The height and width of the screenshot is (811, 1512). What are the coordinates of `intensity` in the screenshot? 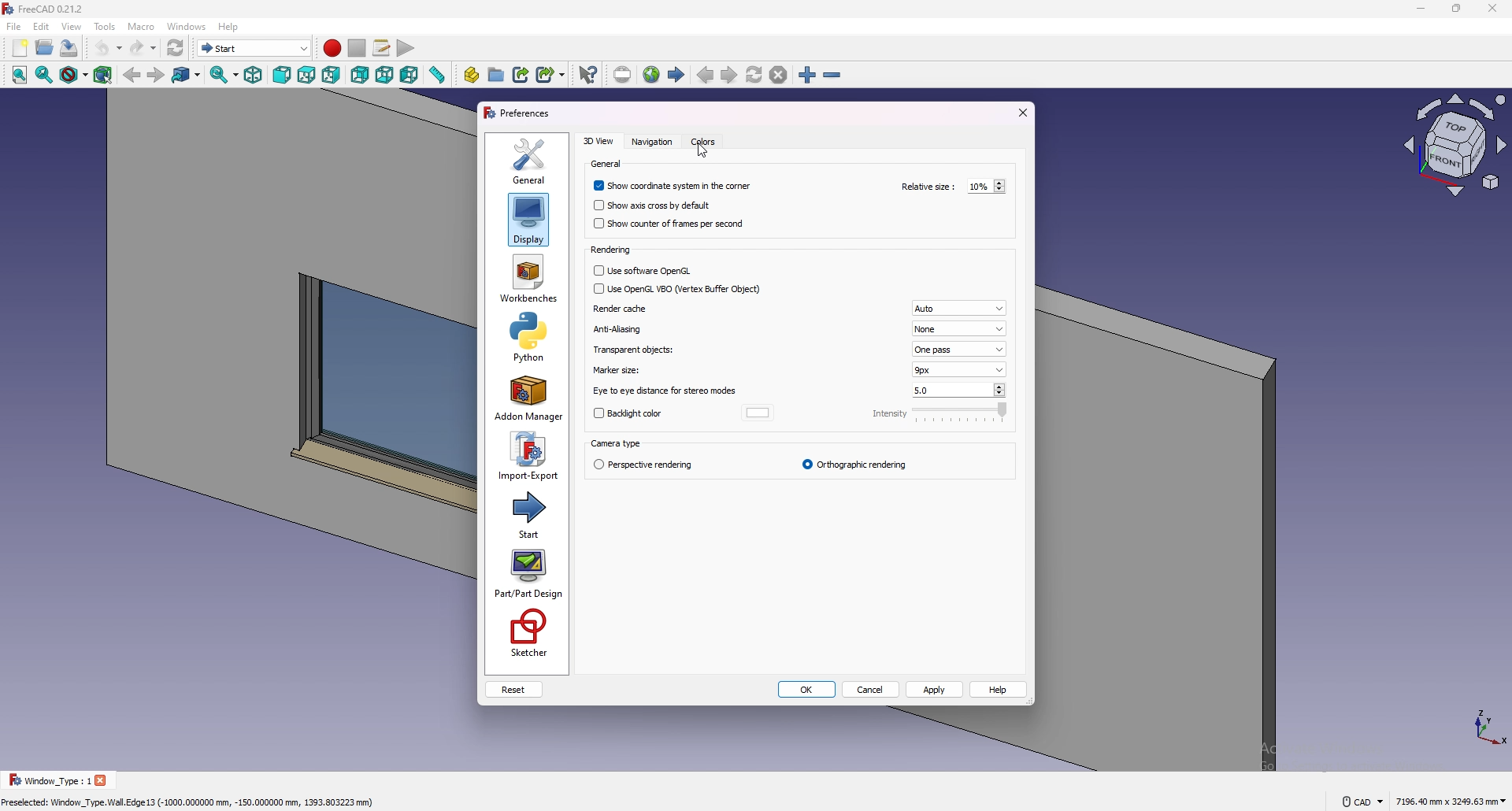 It's located at (942, 413).